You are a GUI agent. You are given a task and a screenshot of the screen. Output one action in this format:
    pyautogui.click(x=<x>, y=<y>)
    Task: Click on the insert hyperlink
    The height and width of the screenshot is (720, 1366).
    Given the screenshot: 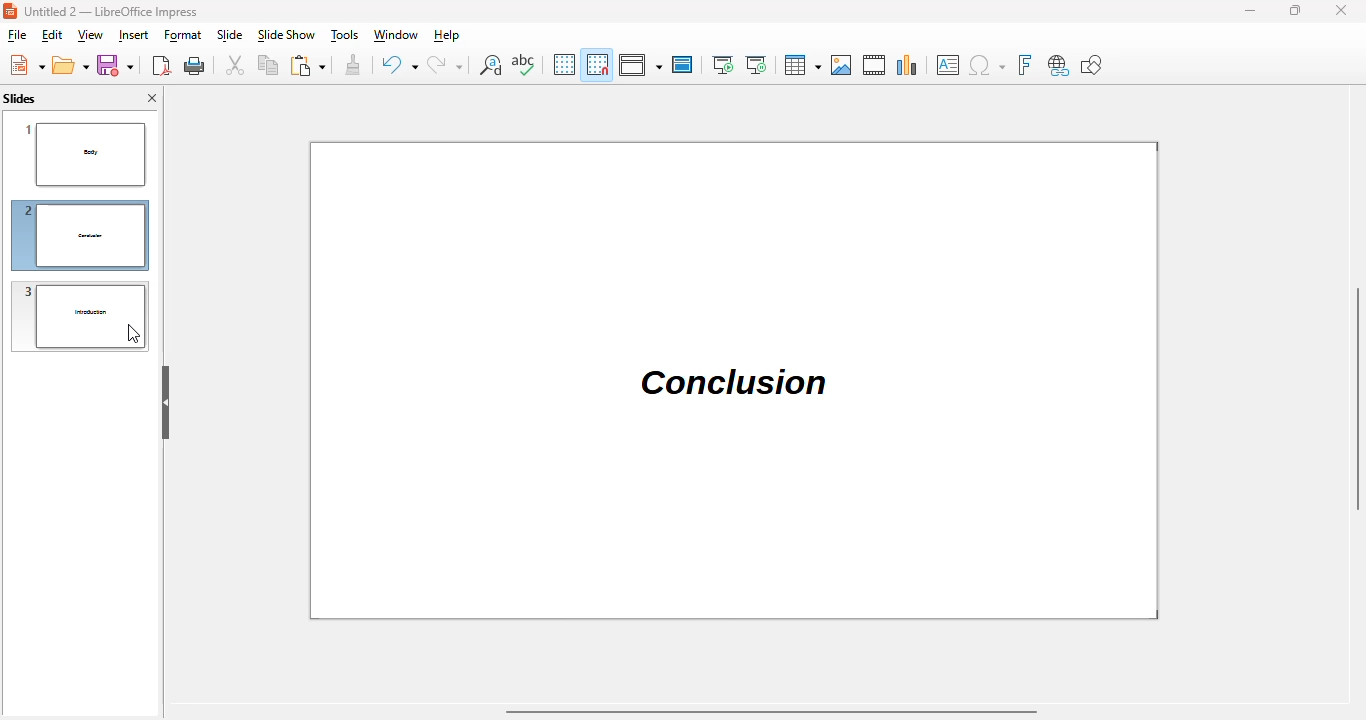 What is the action you would take?
    pyautogui.click(x=1058, y=65)
    